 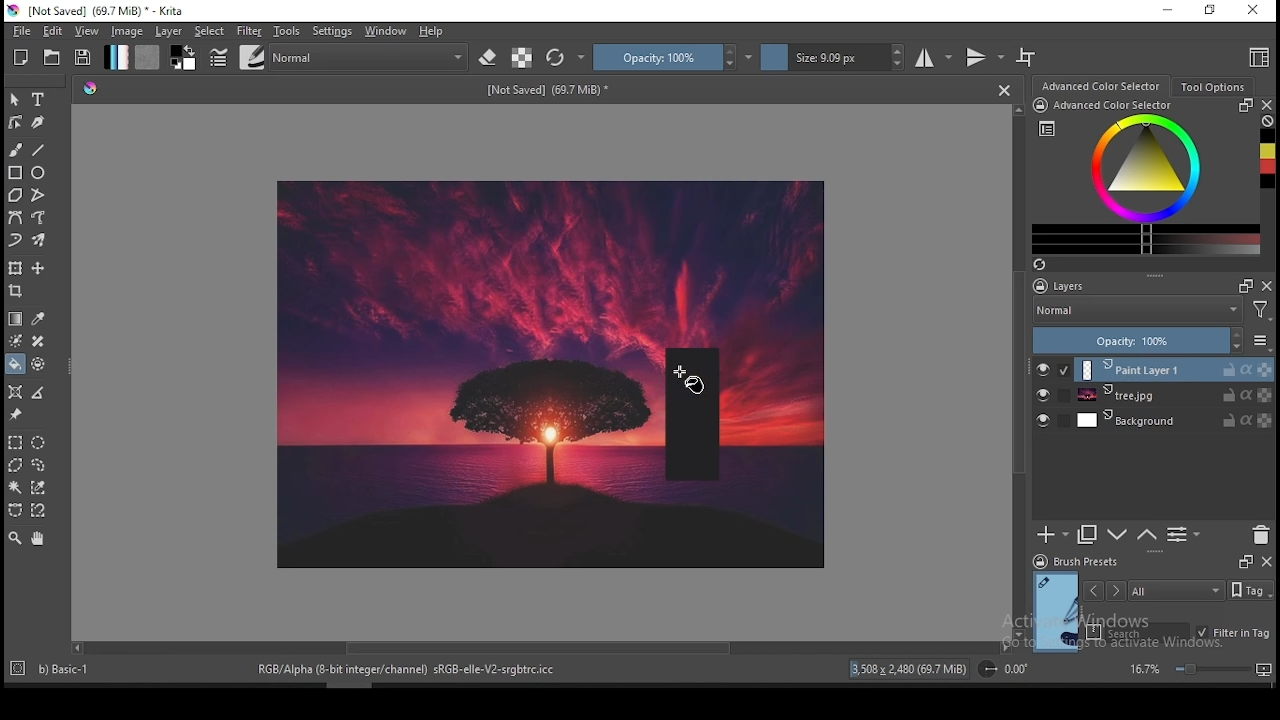 What do you see at coordinates (41, 149) in the screenshot?
I see `line tool` at bounding box center [41, 149].